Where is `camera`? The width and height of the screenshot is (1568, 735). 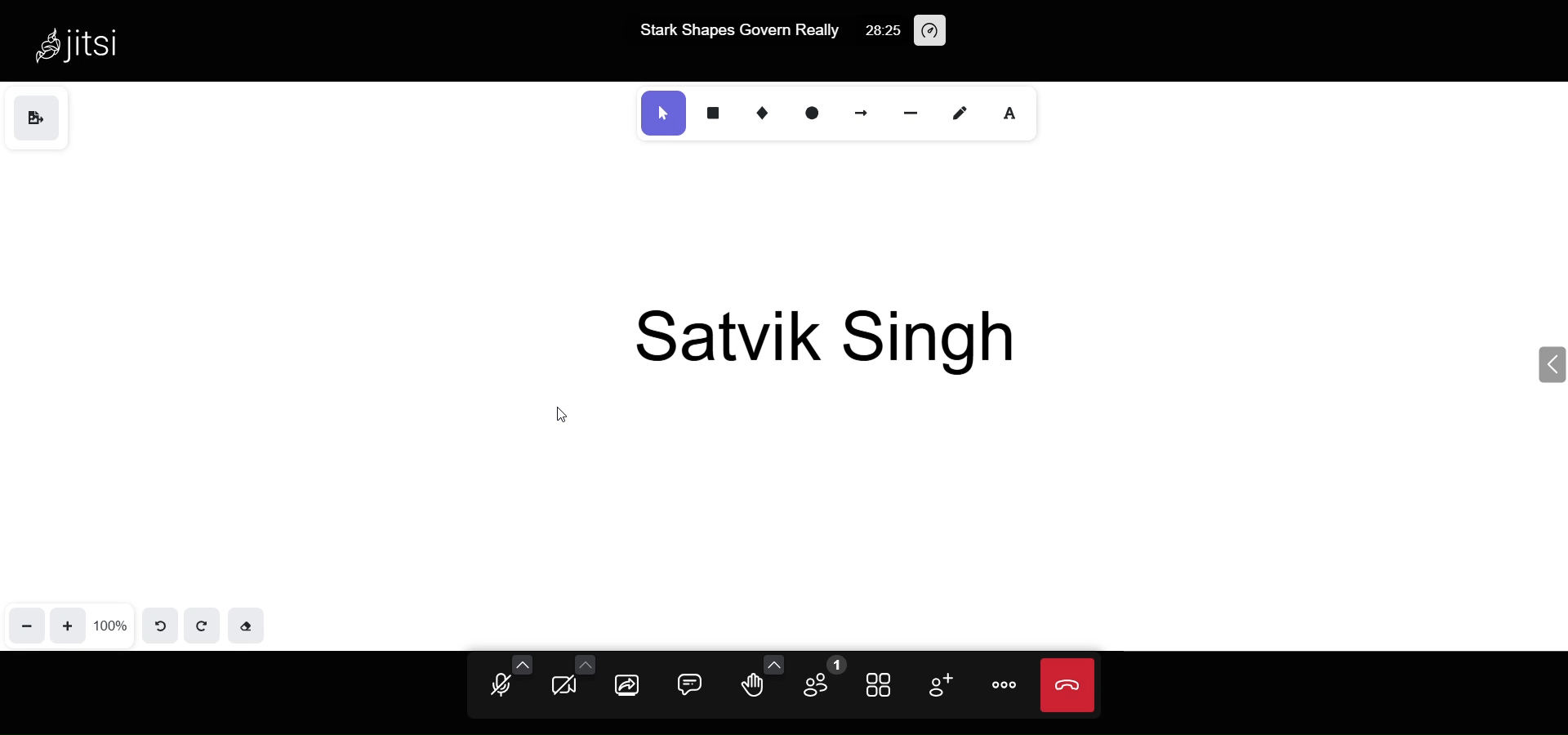 camera is located at coordinates (565, 687).